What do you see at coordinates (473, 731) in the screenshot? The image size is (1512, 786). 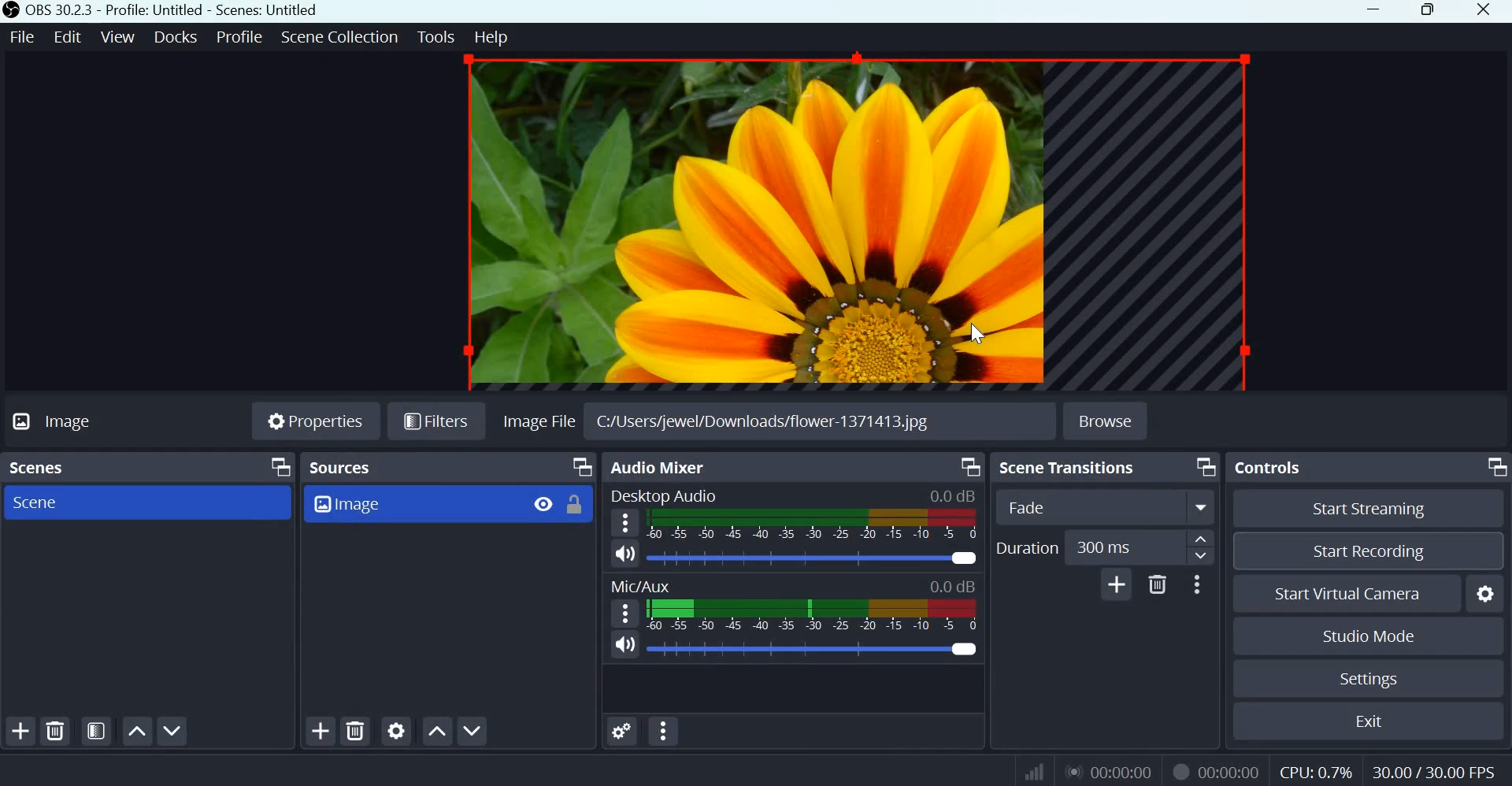 I see `Move source(s) down` at bounding box center [473, 731].